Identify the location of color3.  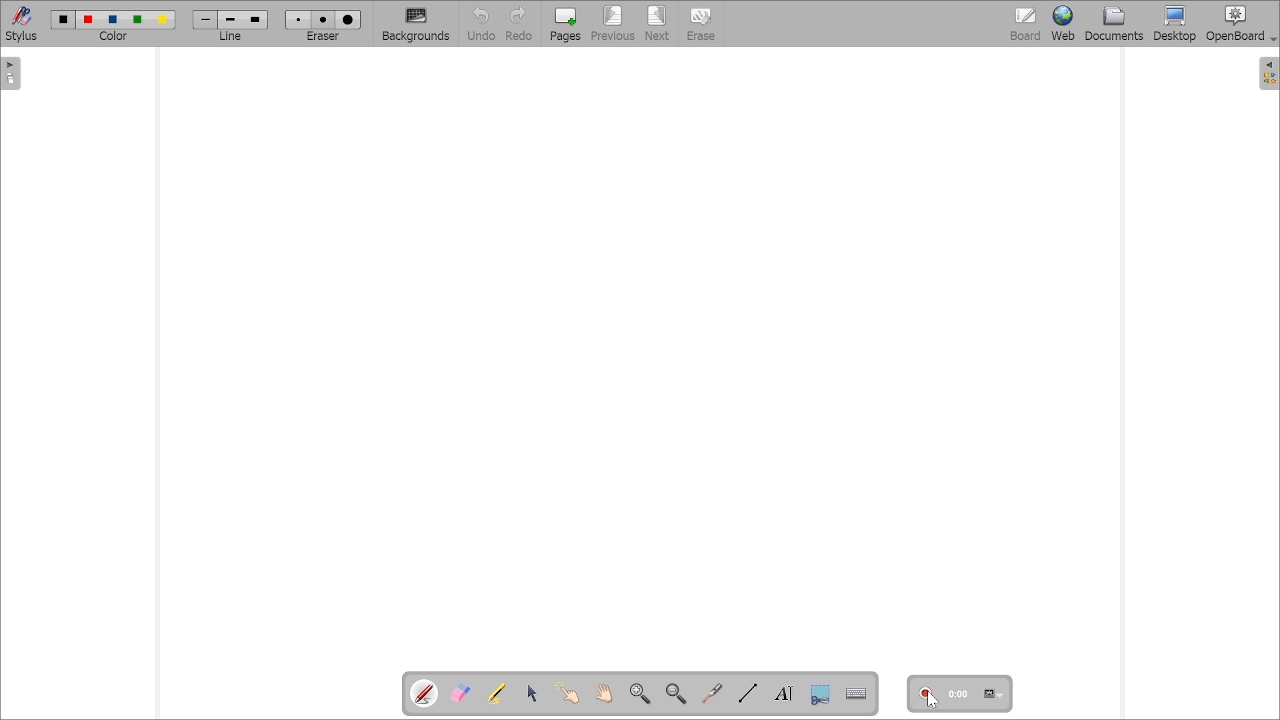
(112, 20).